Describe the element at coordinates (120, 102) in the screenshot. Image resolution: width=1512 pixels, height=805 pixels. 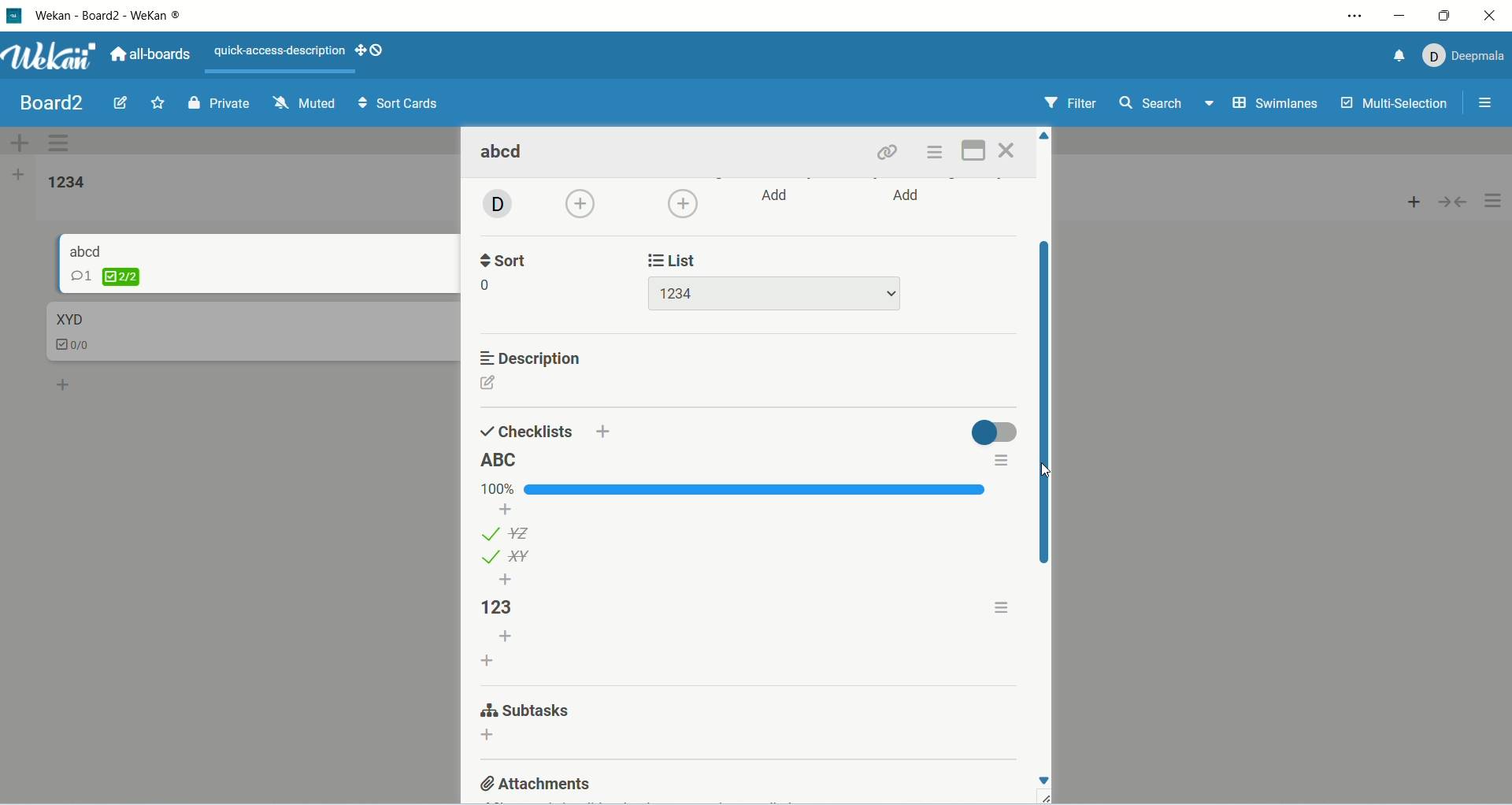
I see `edit` at that location.